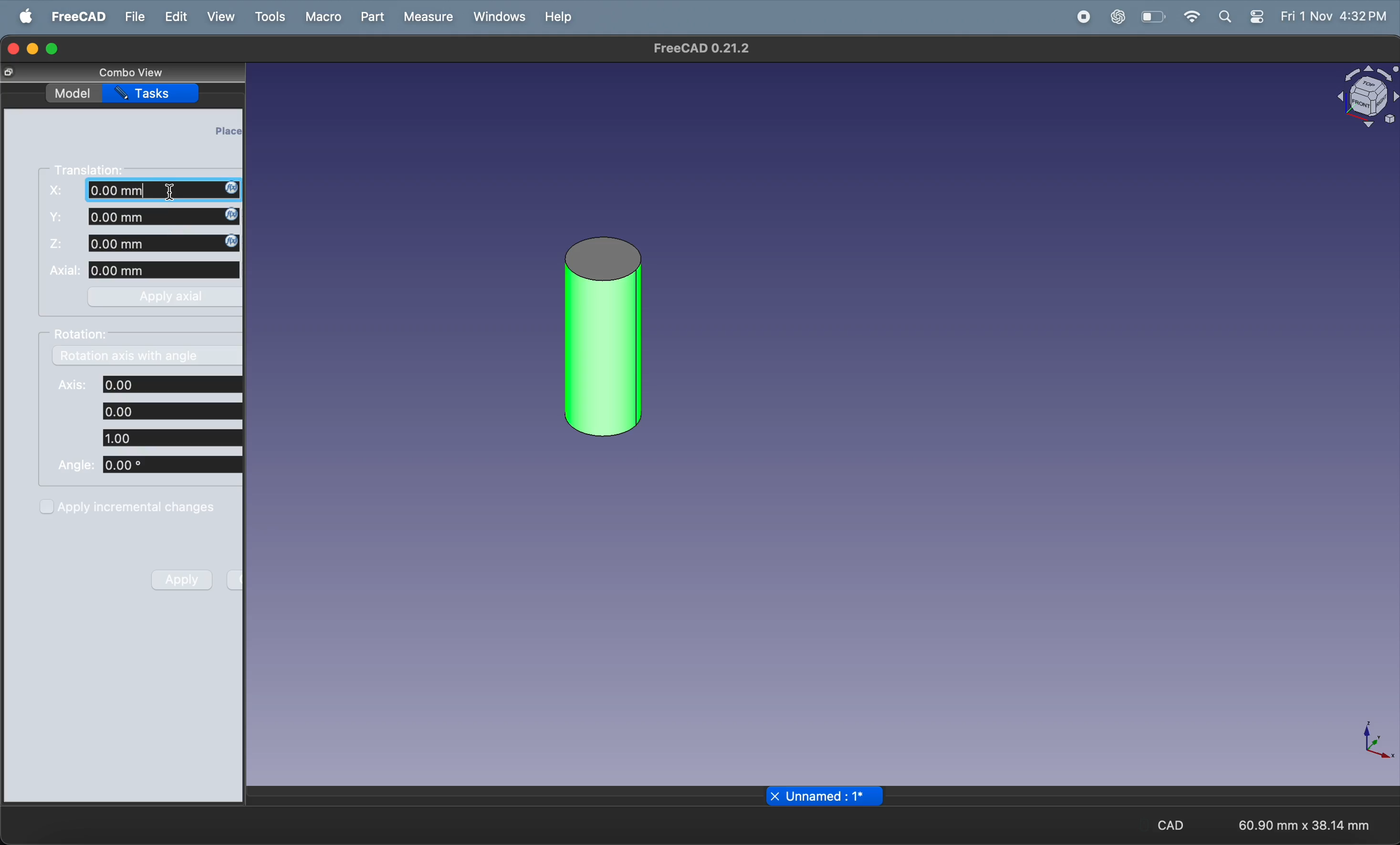 Image resolution: width=1400 pixels, height=845 pixels. I want to click on cylinder 001, so click(602, 334).